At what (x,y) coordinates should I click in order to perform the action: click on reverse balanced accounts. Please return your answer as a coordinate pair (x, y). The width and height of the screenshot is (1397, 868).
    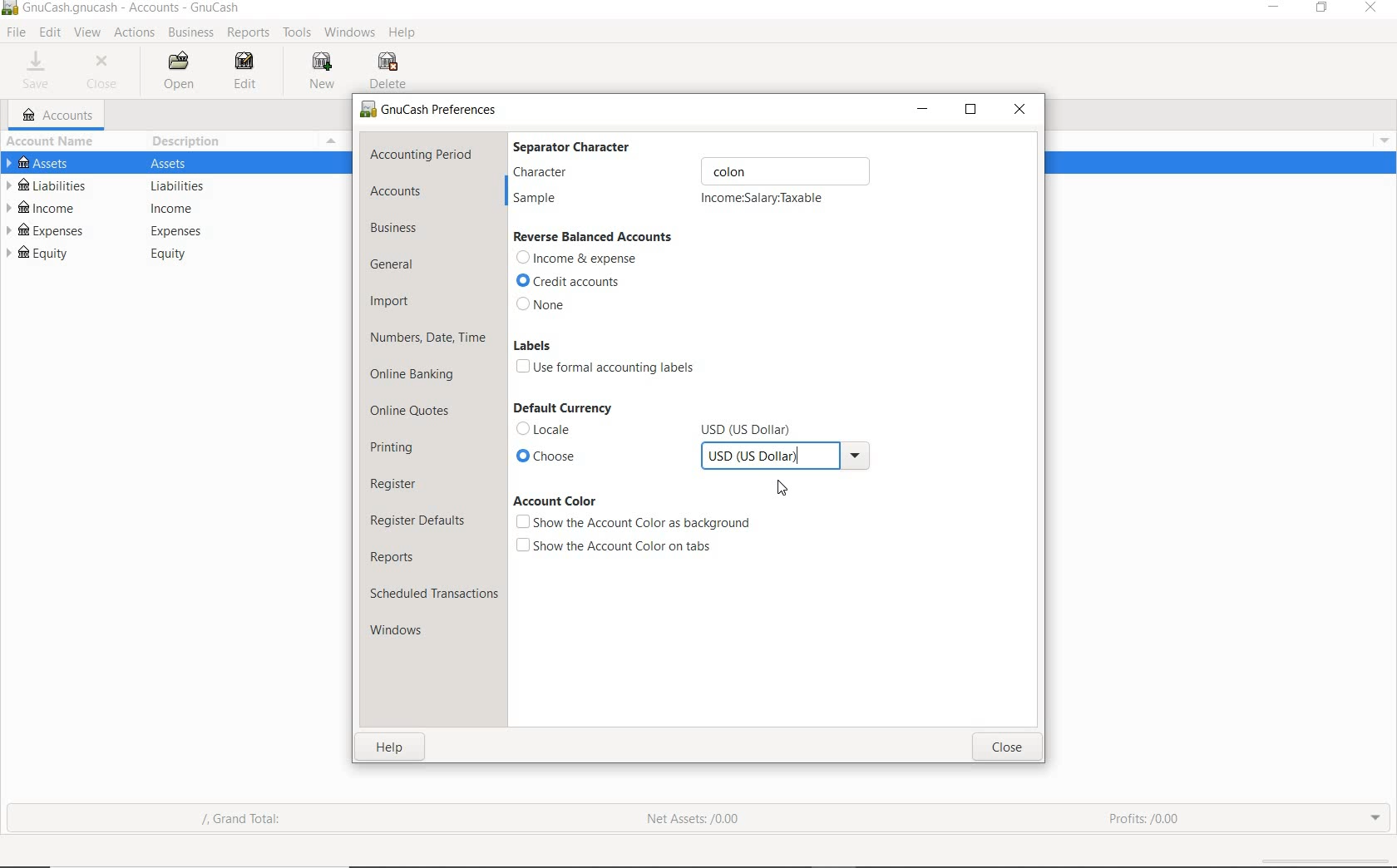
    Looking at the image, I should click on (594, 237).